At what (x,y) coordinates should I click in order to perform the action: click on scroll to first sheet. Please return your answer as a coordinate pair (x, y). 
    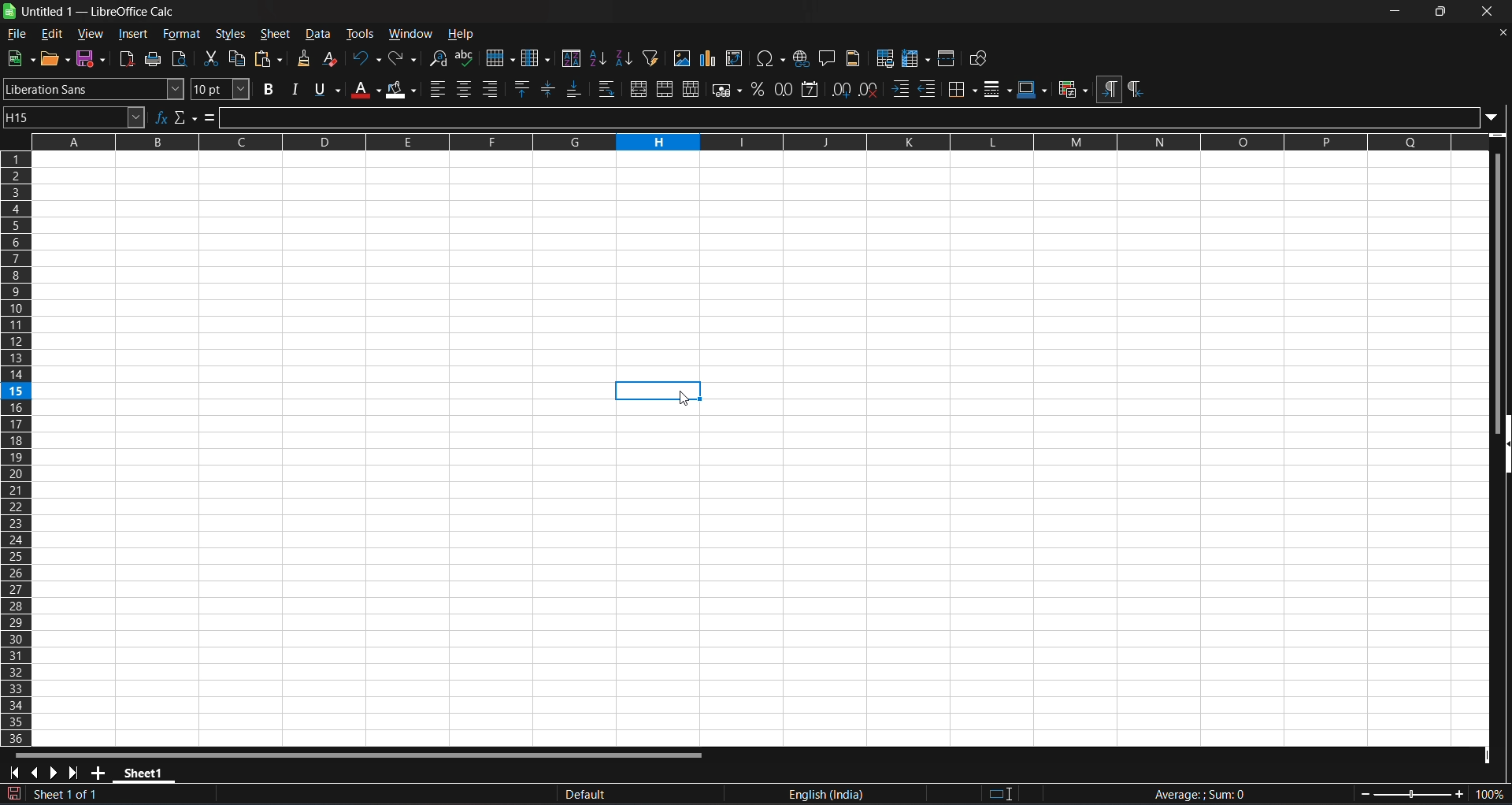
    Looking at the image, I should click on (15, 773).